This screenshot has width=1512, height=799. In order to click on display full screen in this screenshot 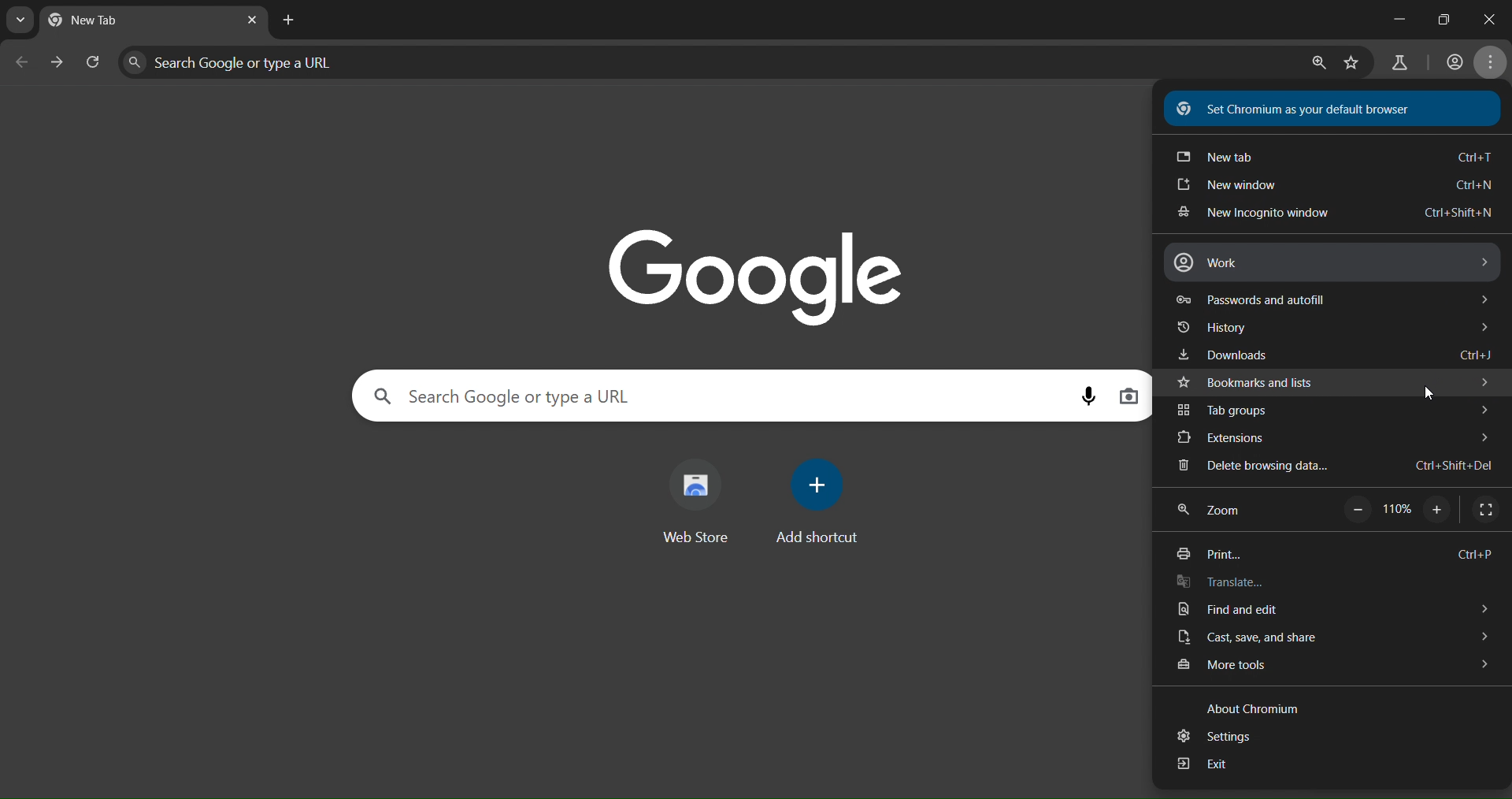, I will do `click(1490, 510)`.